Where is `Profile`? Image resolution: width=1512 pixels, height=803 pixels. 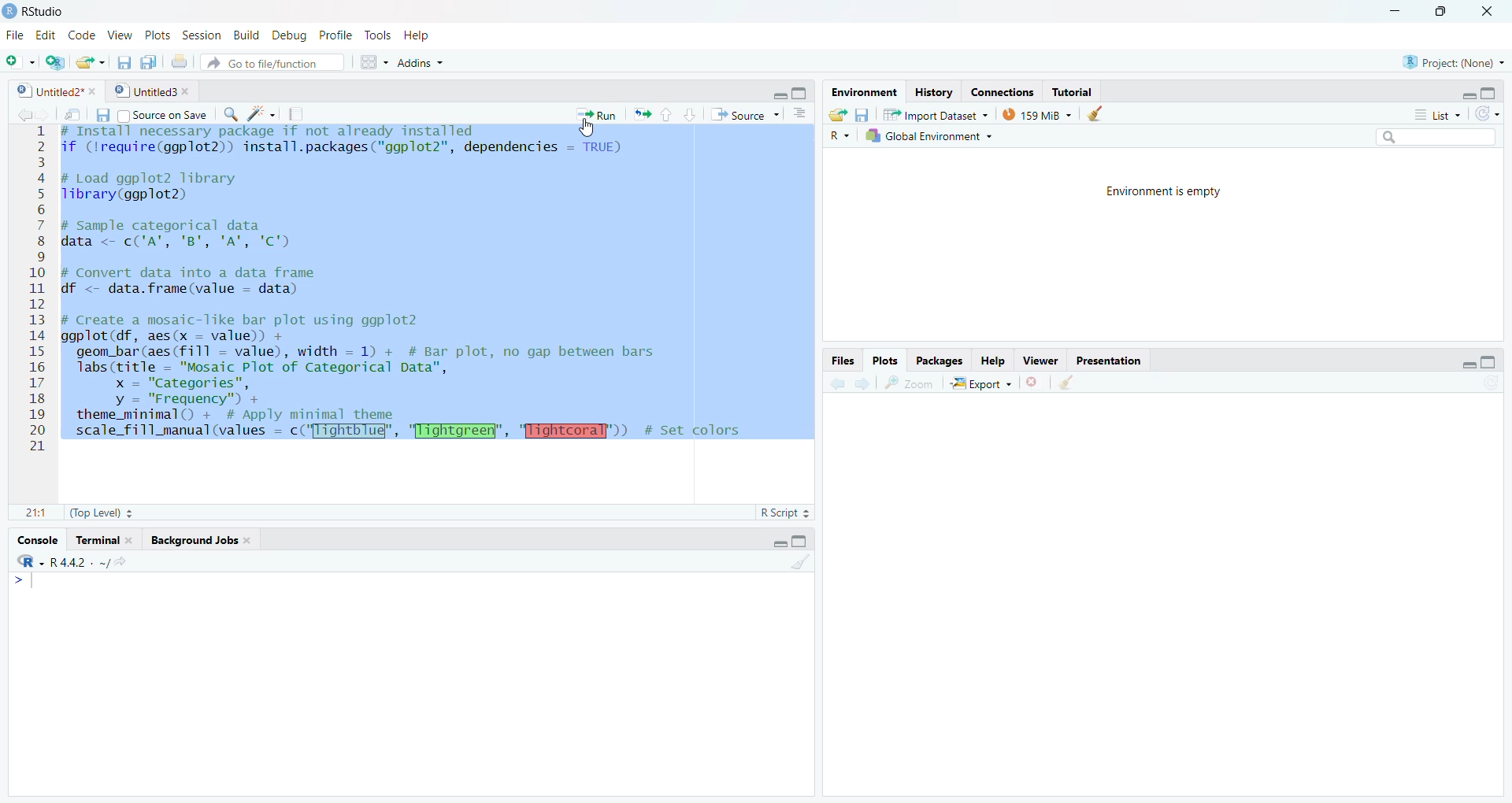
Profile is located at coordinates (335, 35).